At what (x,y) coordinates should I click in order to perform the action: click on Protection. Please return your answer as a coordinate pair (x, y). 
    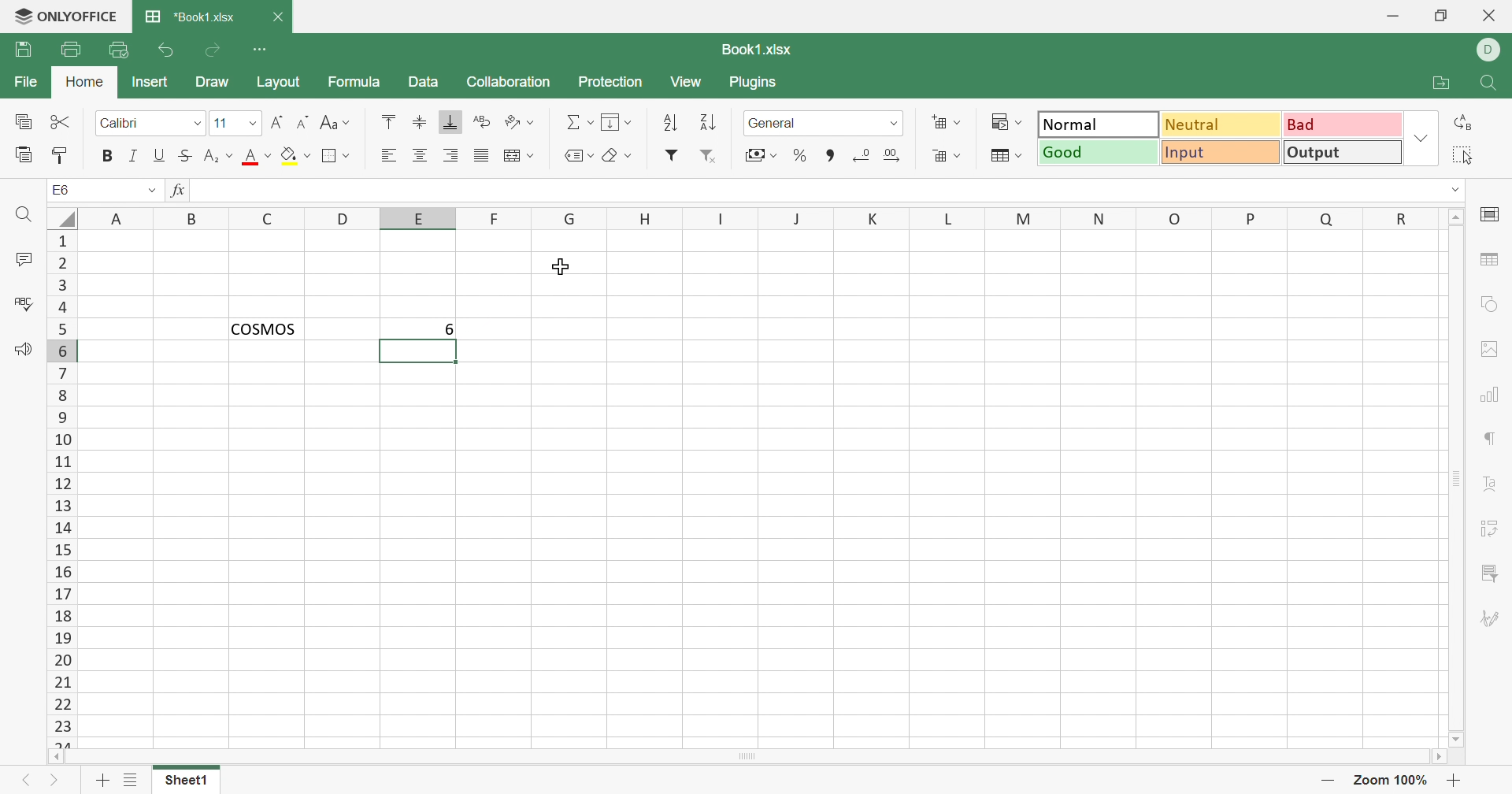
    Looking at the image, I should click on (613, 84).